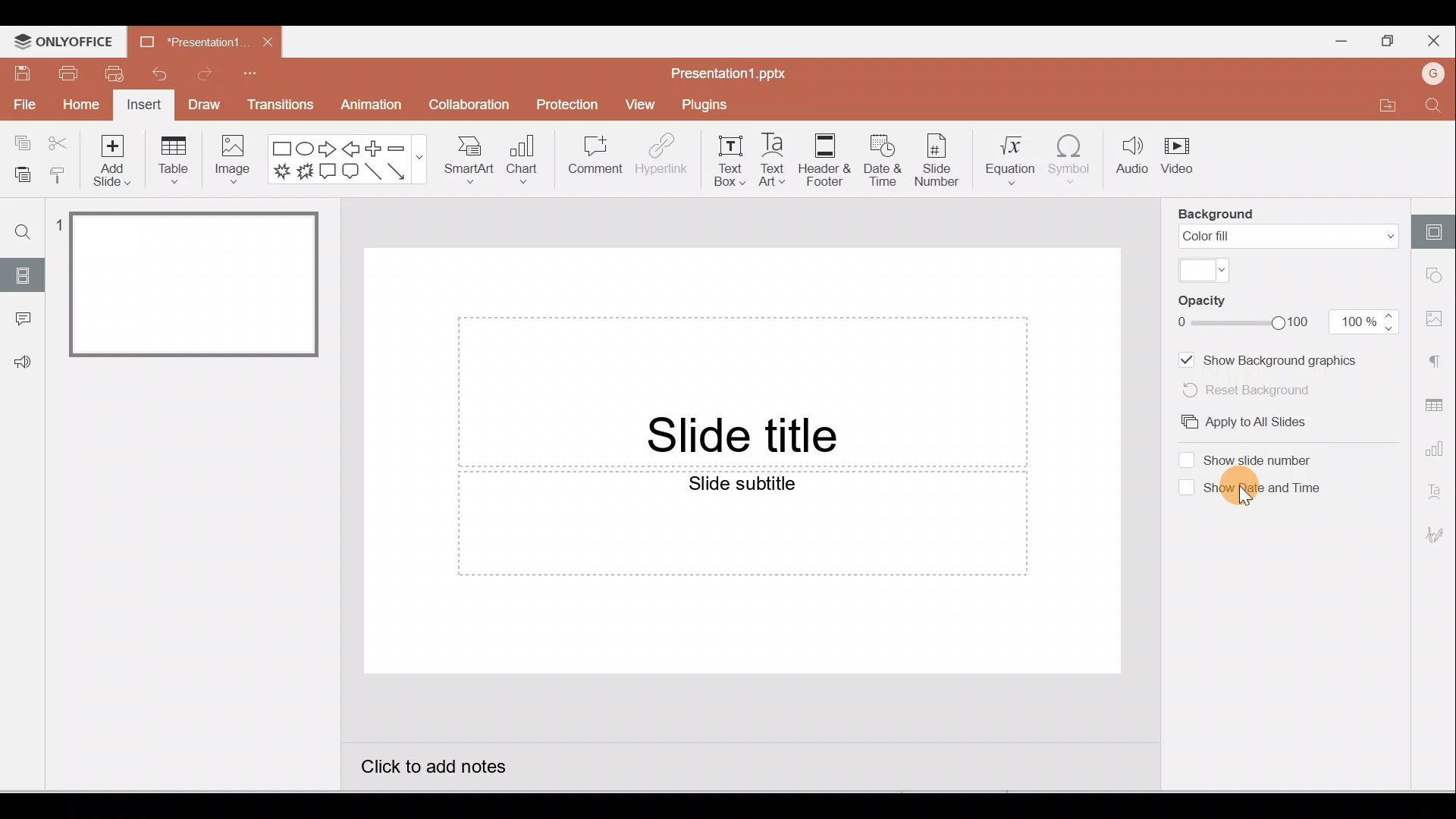 This screenshot has width=1456, height=819. What do you see at coordinates (331, 272) in the screenshot?
I see `vertical scrollbar` at bounding box center [331, 272].